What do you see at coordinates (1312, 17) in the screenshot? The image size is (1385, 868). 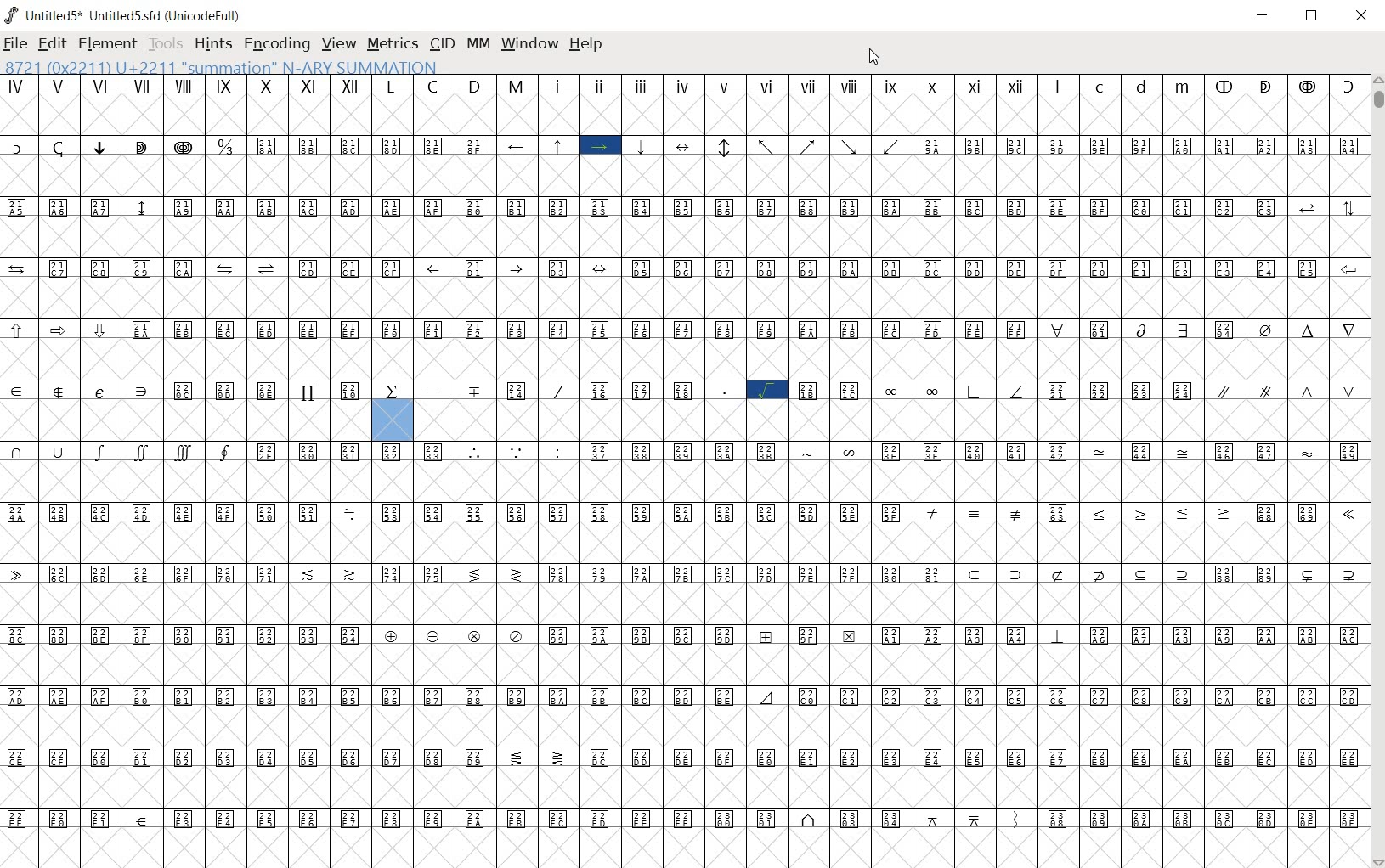 I see `RESTORE DWON` at bounding box center [1312, 17].